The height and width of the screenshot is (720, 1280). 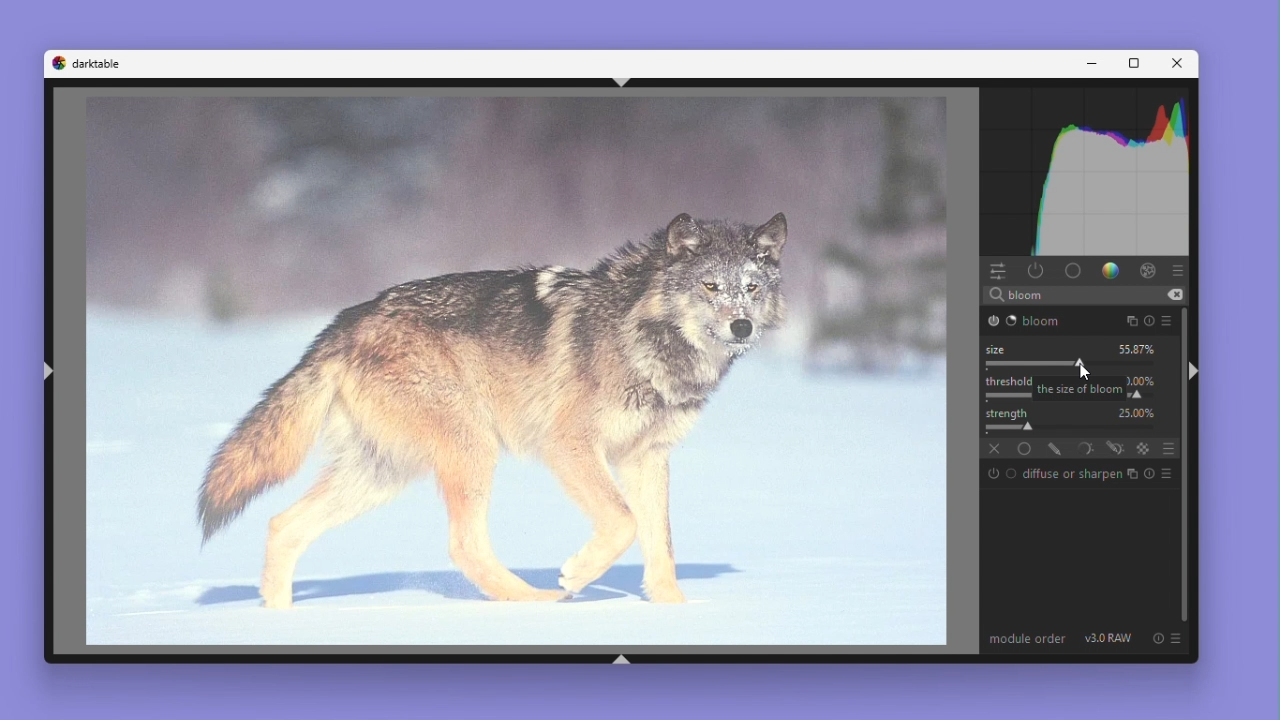 I want to click on Parameter mask, so click(x=1088, y=449).